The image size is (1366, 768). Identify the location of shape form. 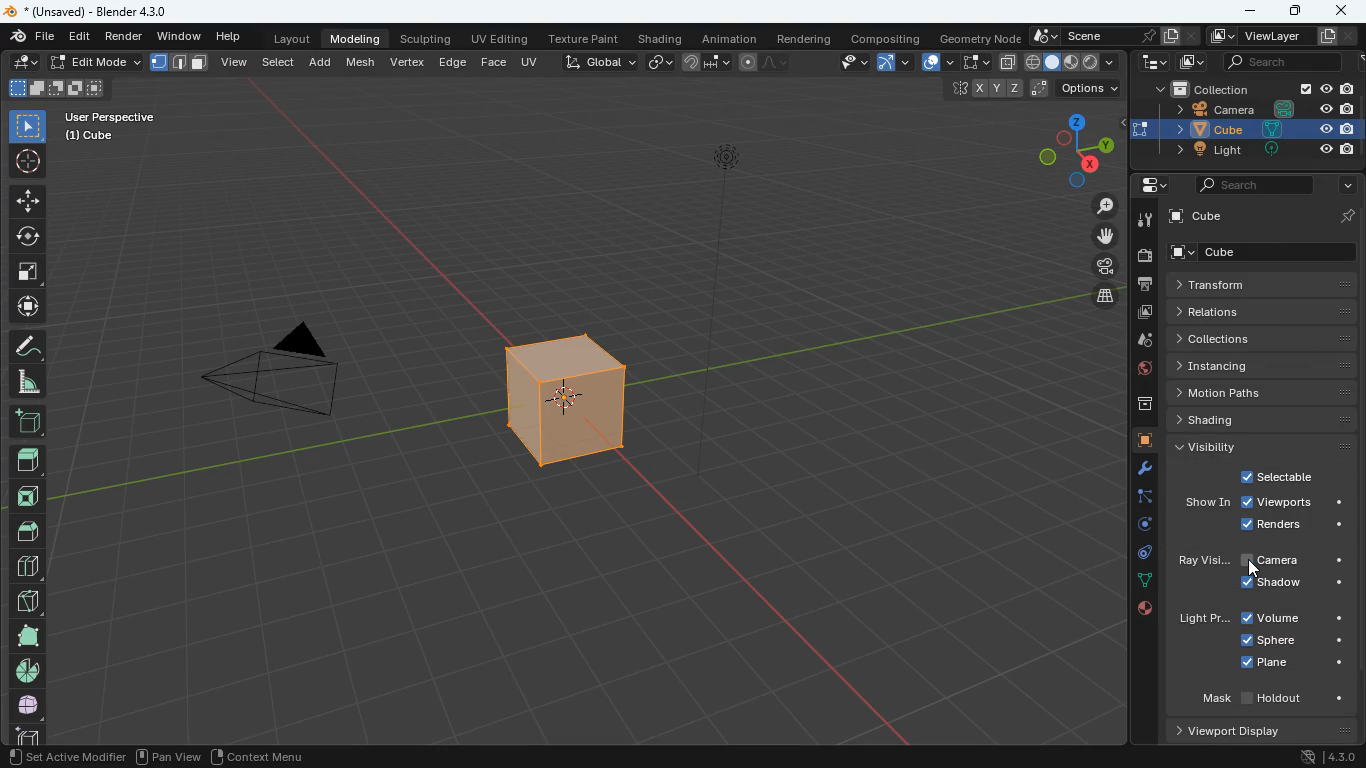
(55, 89).